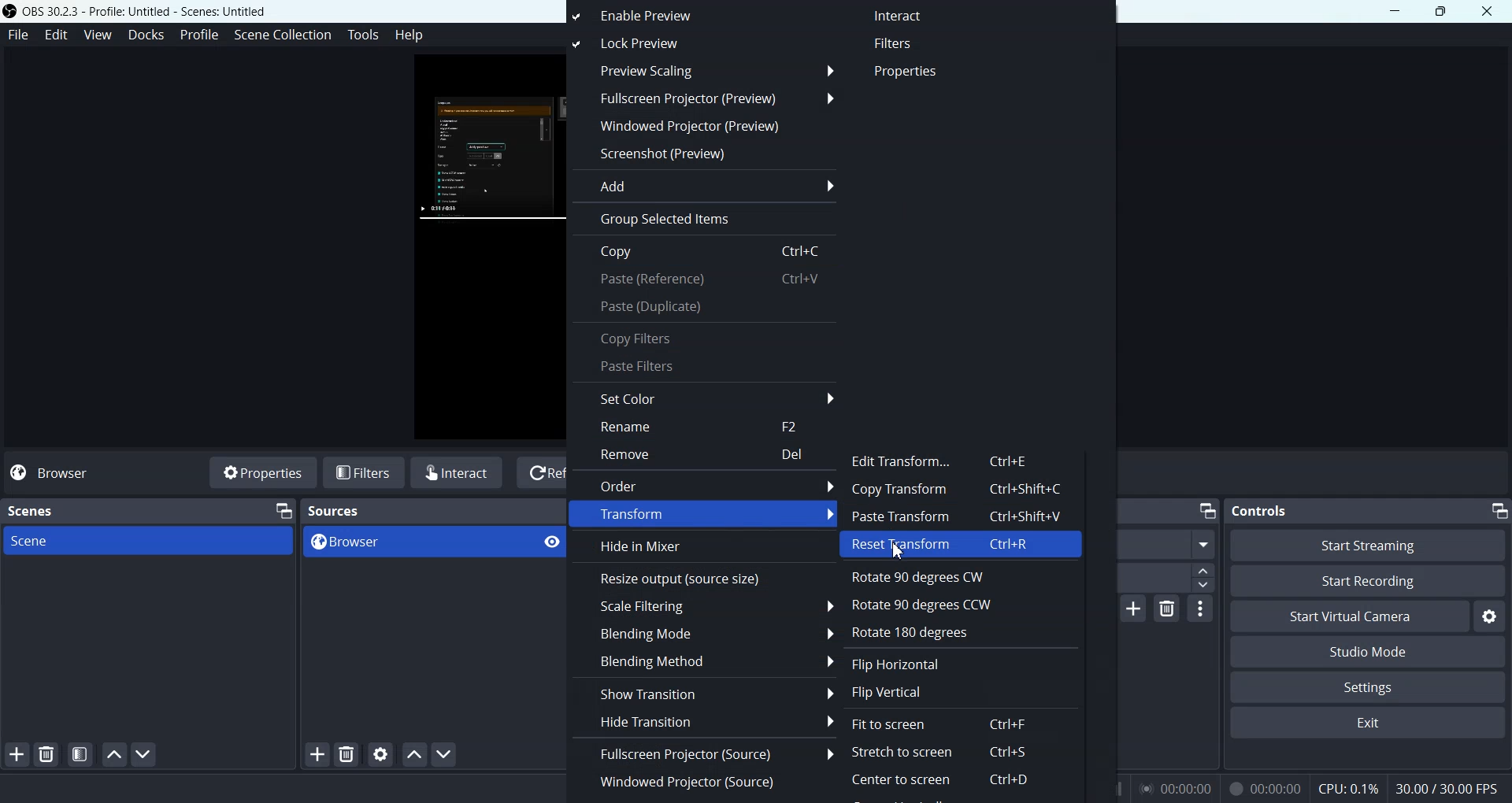  What do you see at coordinates (409, 37) in the screenshot?
I see `Help` at bounding box center [409, 37].